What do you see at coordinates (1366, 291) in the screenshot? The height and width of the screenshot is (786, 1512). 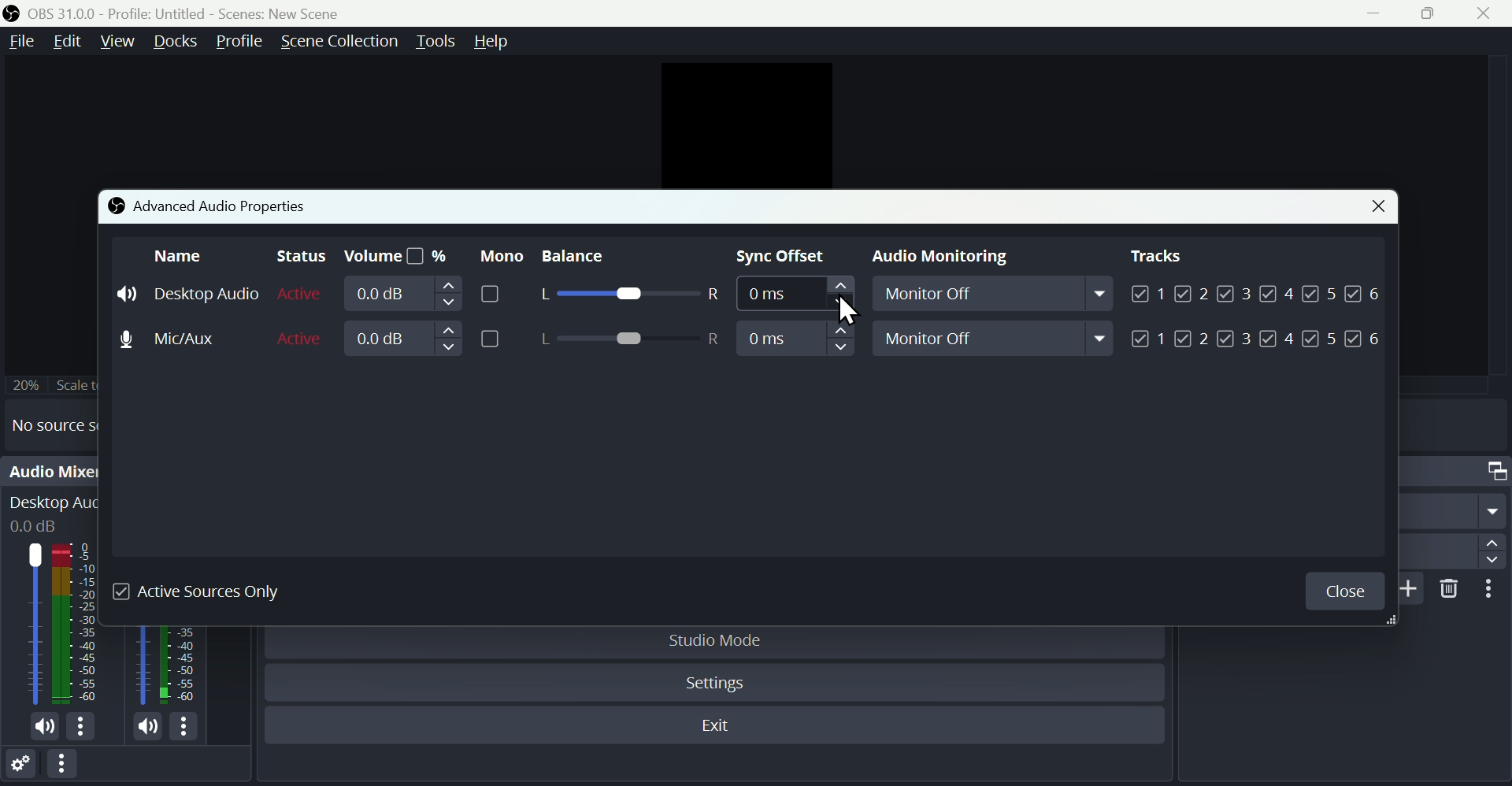 I see `(un)check Track 6` at bounding box center [1366, 291].